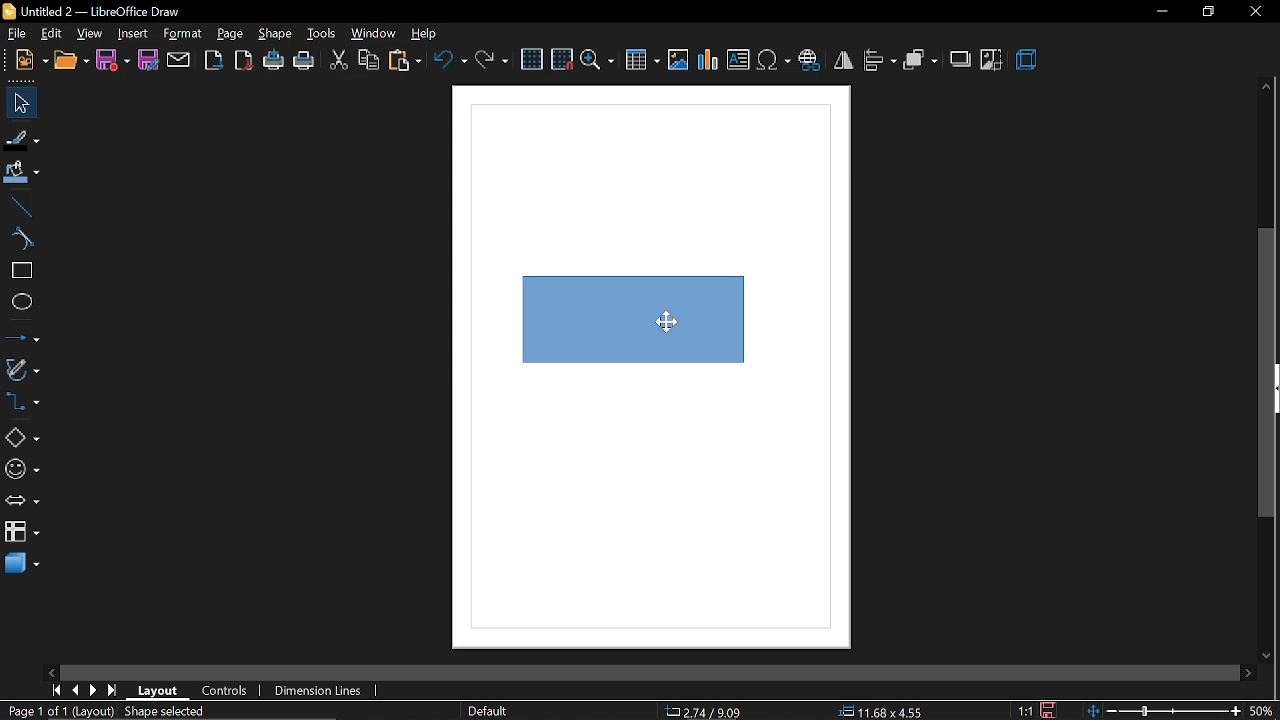 The image size is (1280, 720). Describe the element at coordinates (19, 271) in the screenshot. I see `rectagle` at that location.